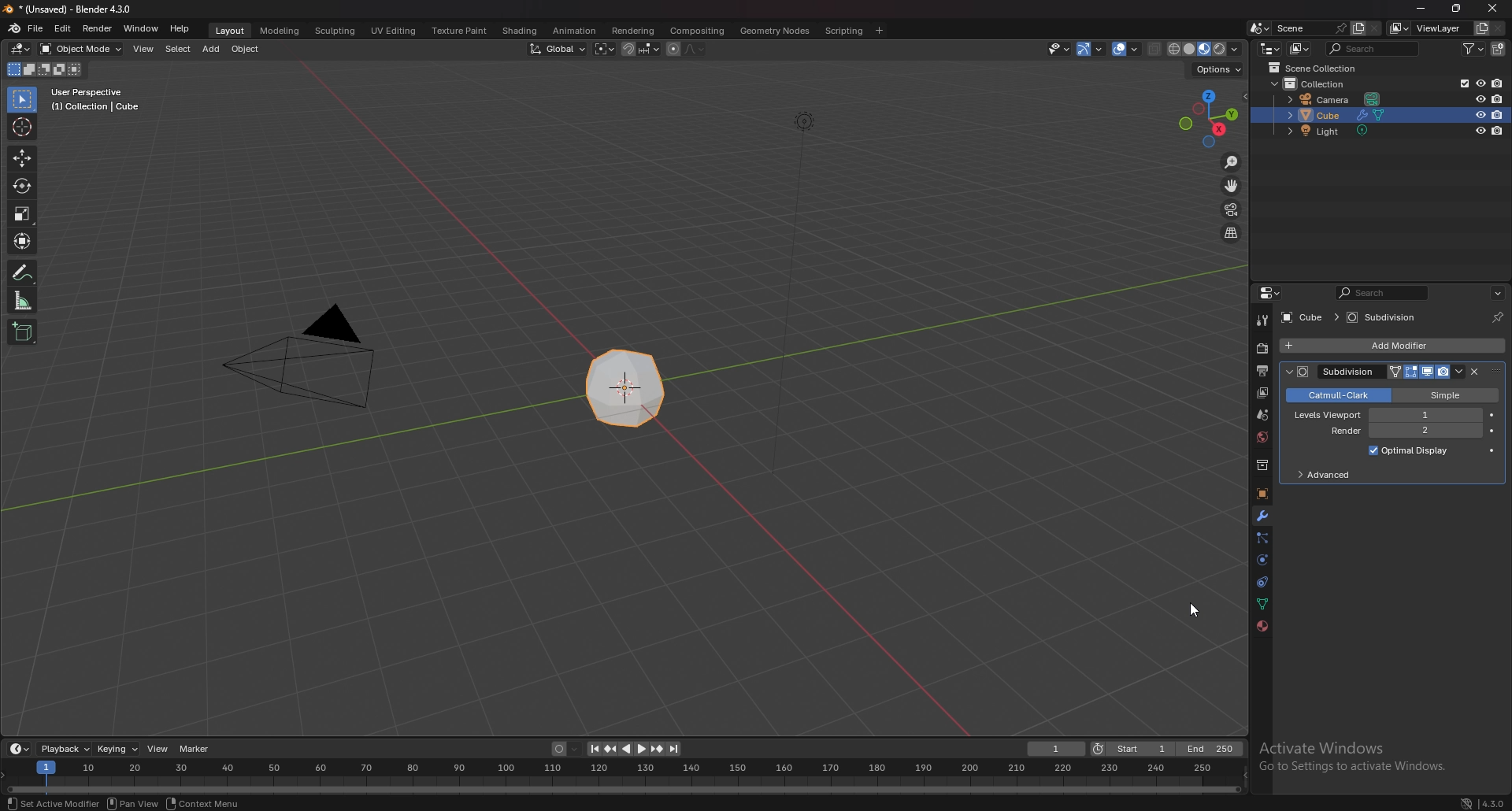 This screenshot has height=811, width=1512. What do you see at coordinates (1394, 346) in the screenshot?
I see `add modifier` at bounding box center [1394, 346].